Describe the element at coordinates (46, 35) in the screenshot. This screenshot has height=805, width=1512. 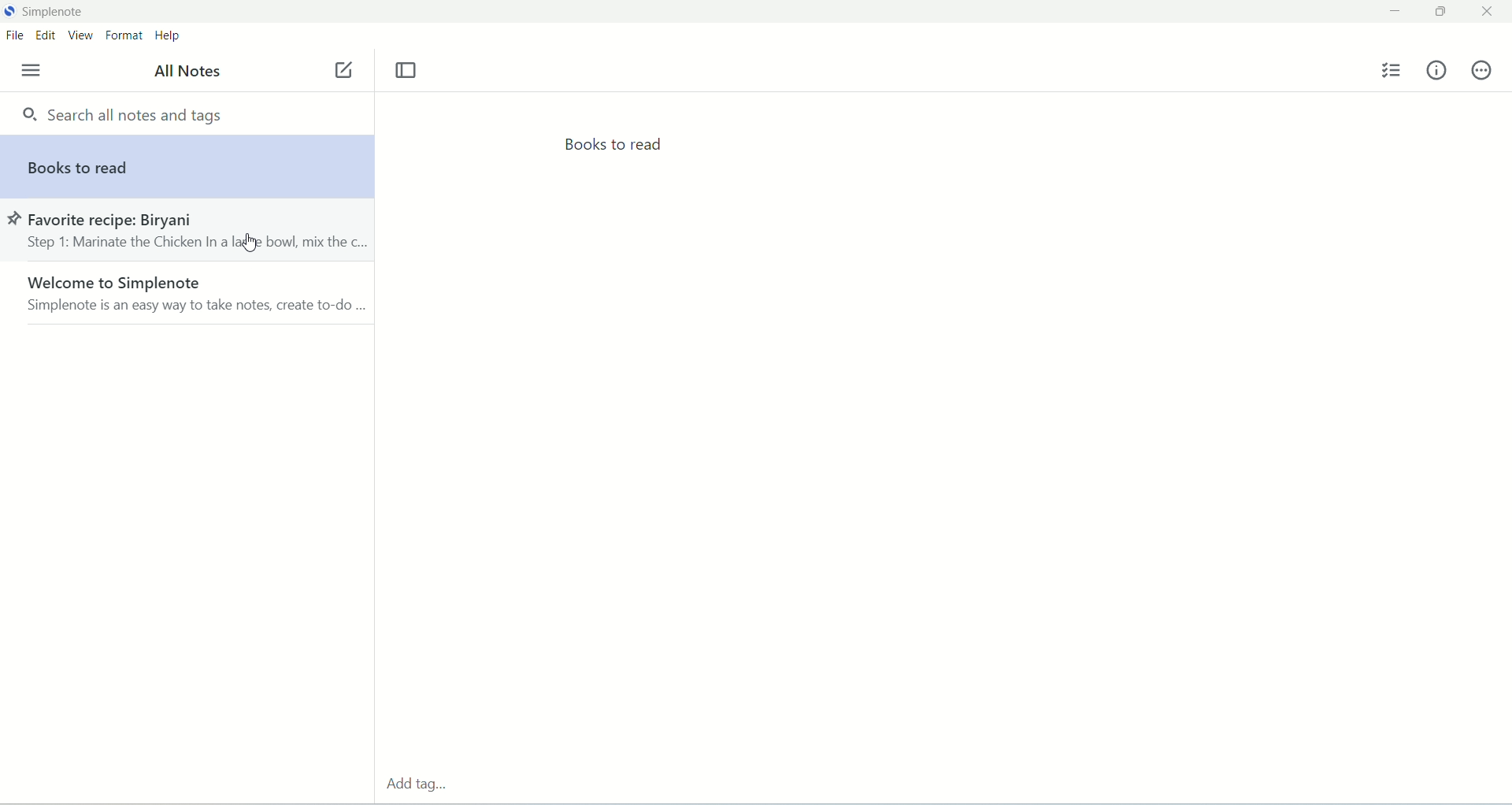
I see `edit` at that location.